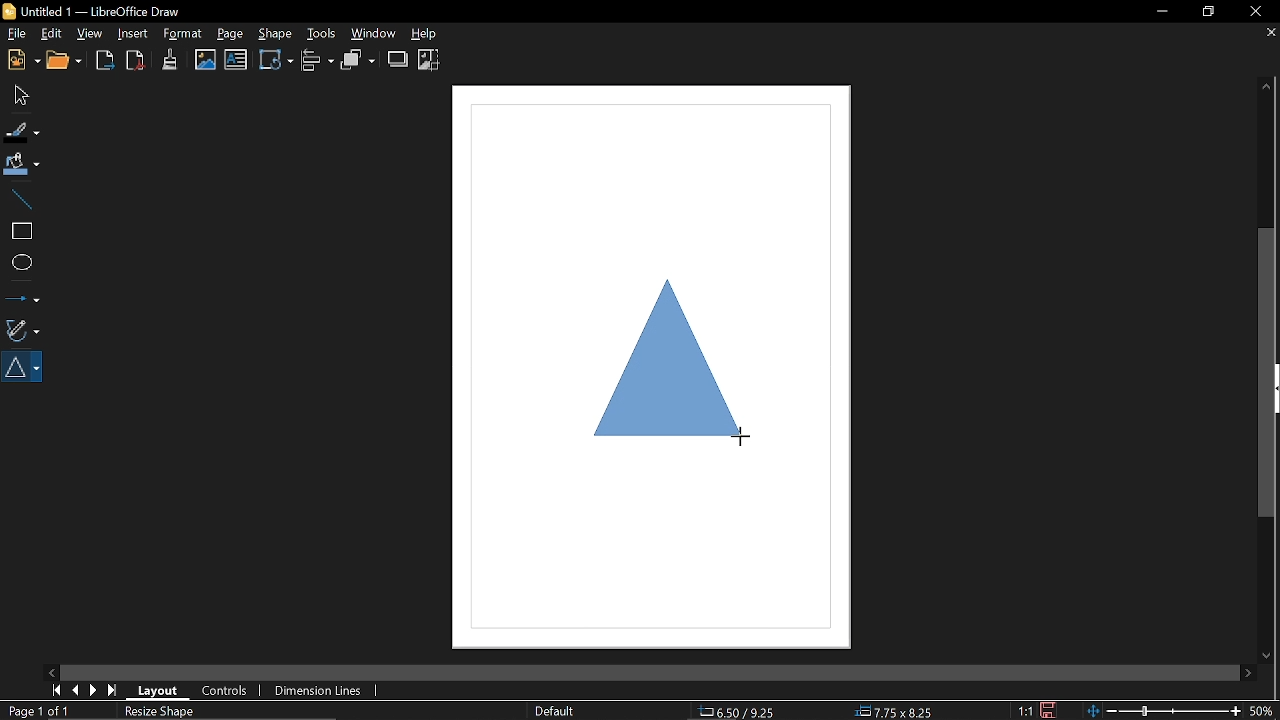 The width and height of the screenshot is (1280, 720). I want to click on Slide master name, so click(554, 711).